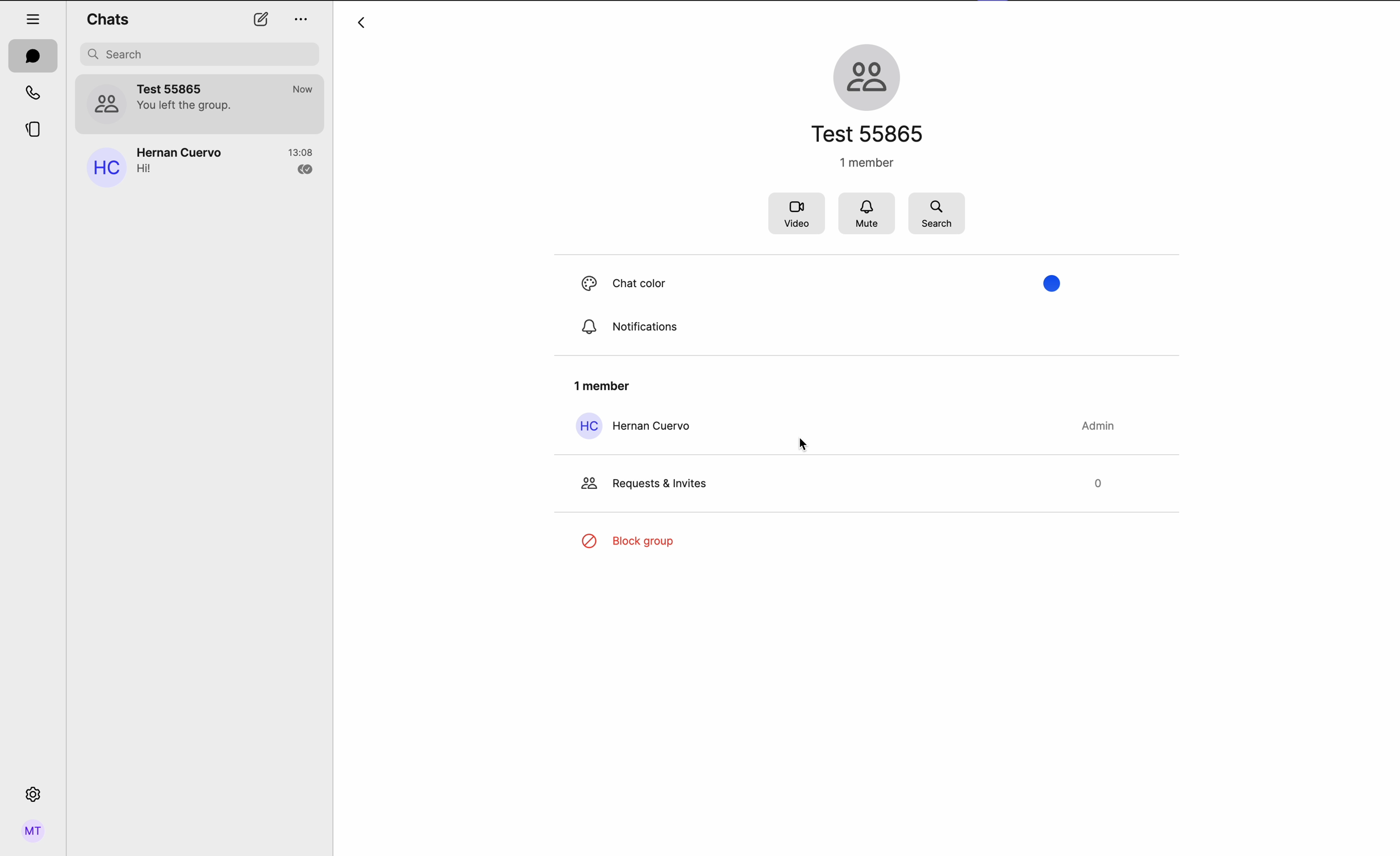 The width and height of the screenshot is (1400, 856). Describe the element at coordinates (1057, 284) in the screenshot. I see `color` at that location.